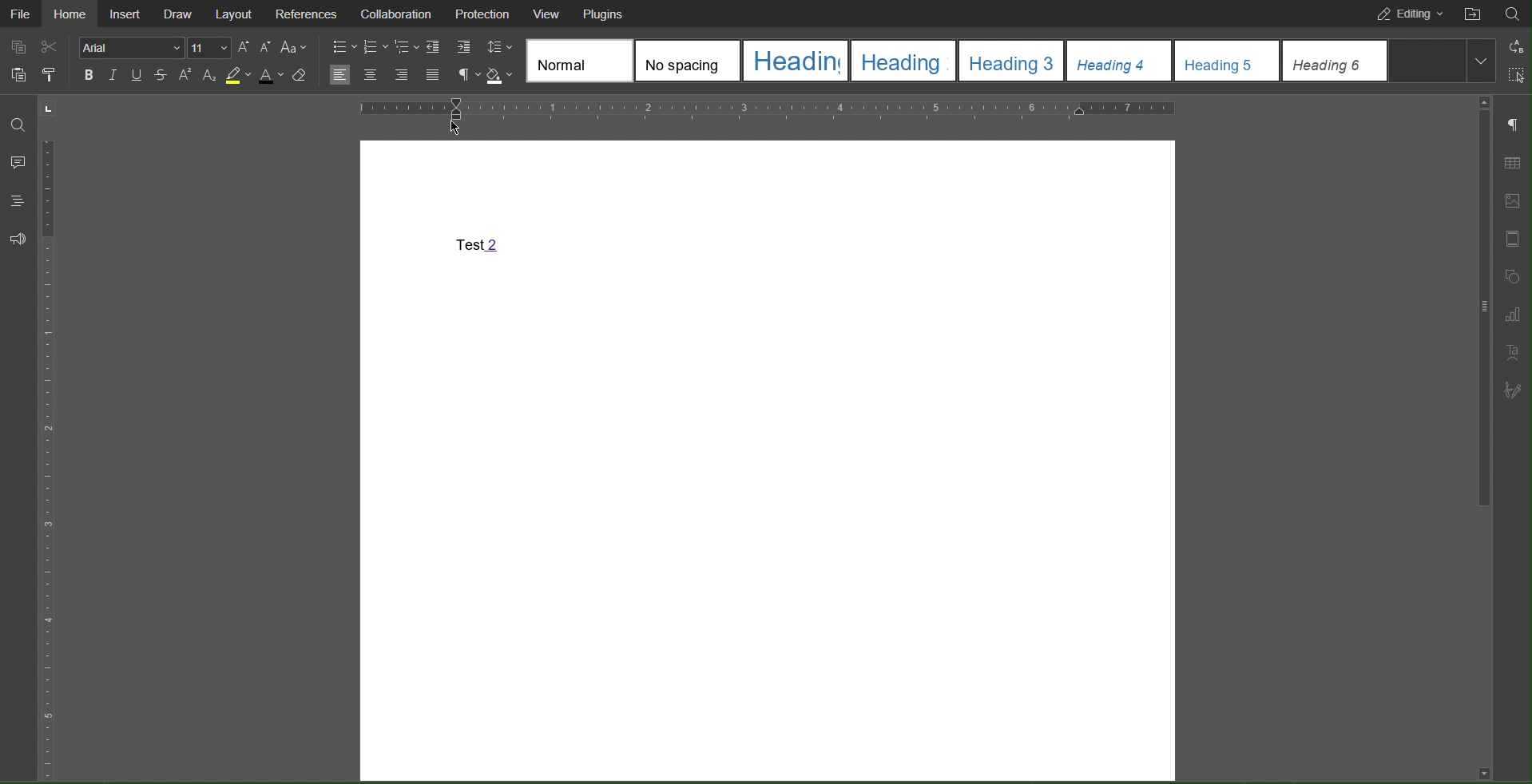 The width and height of the screenshot is (1532, 784). Describe the element at coordinates (18, 77) in the screenshot. I see `Copy` at that location.